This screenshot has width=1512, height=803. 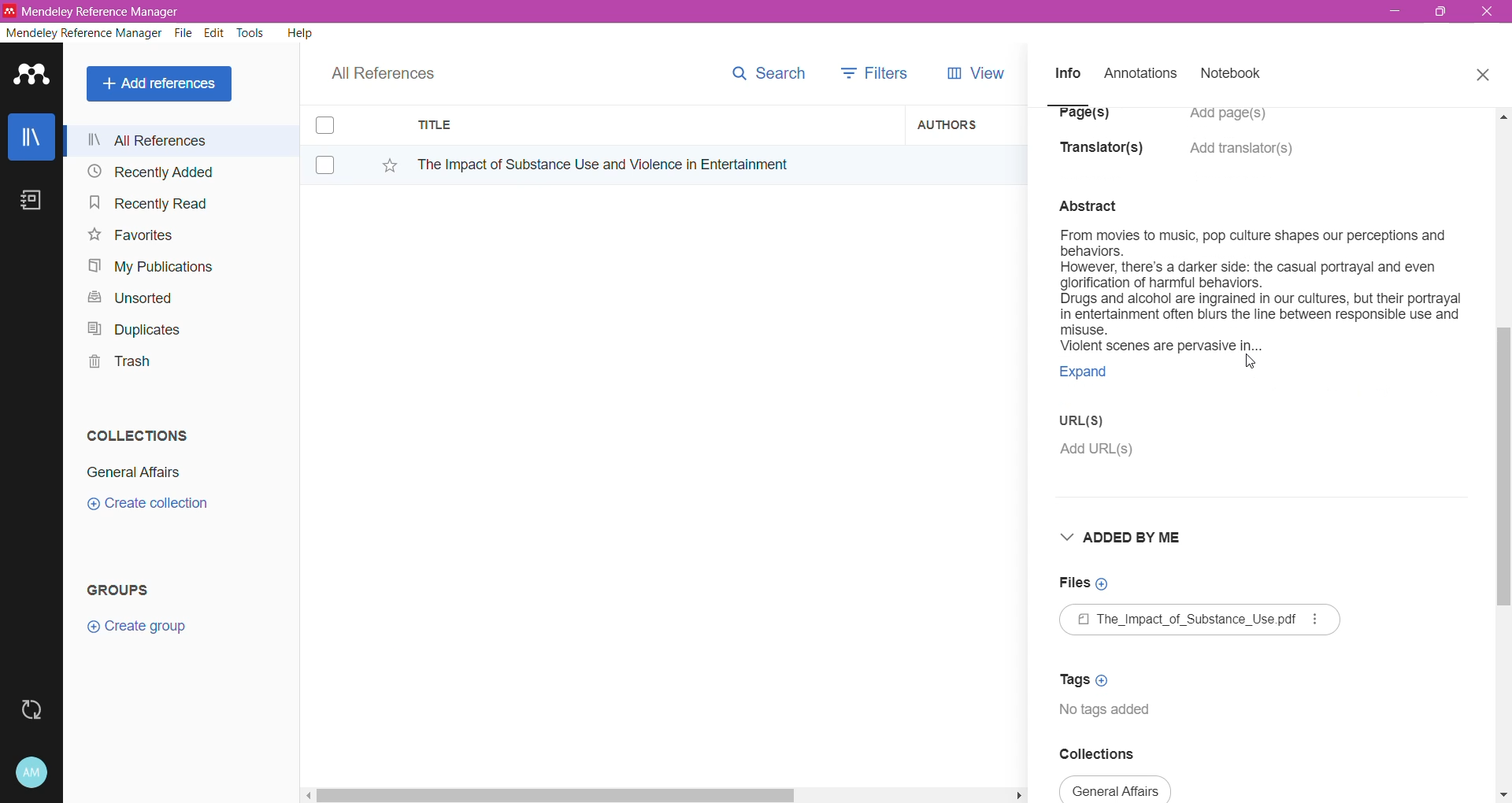 What do you see at coordinates (128, 297) in the screenshot?
I see `Unsorted` at bounding box center [128, 297].